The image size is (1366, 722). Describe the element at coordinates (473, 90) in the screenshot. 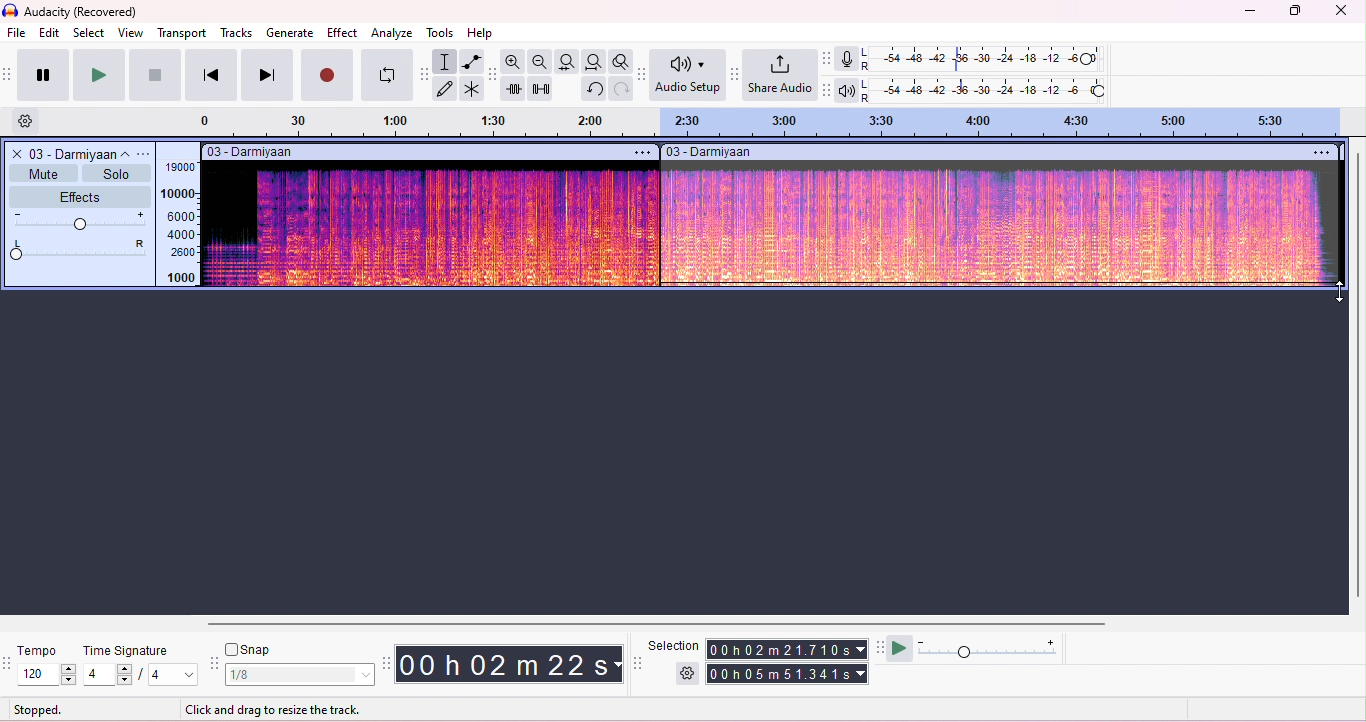

I see `multi` at that location.